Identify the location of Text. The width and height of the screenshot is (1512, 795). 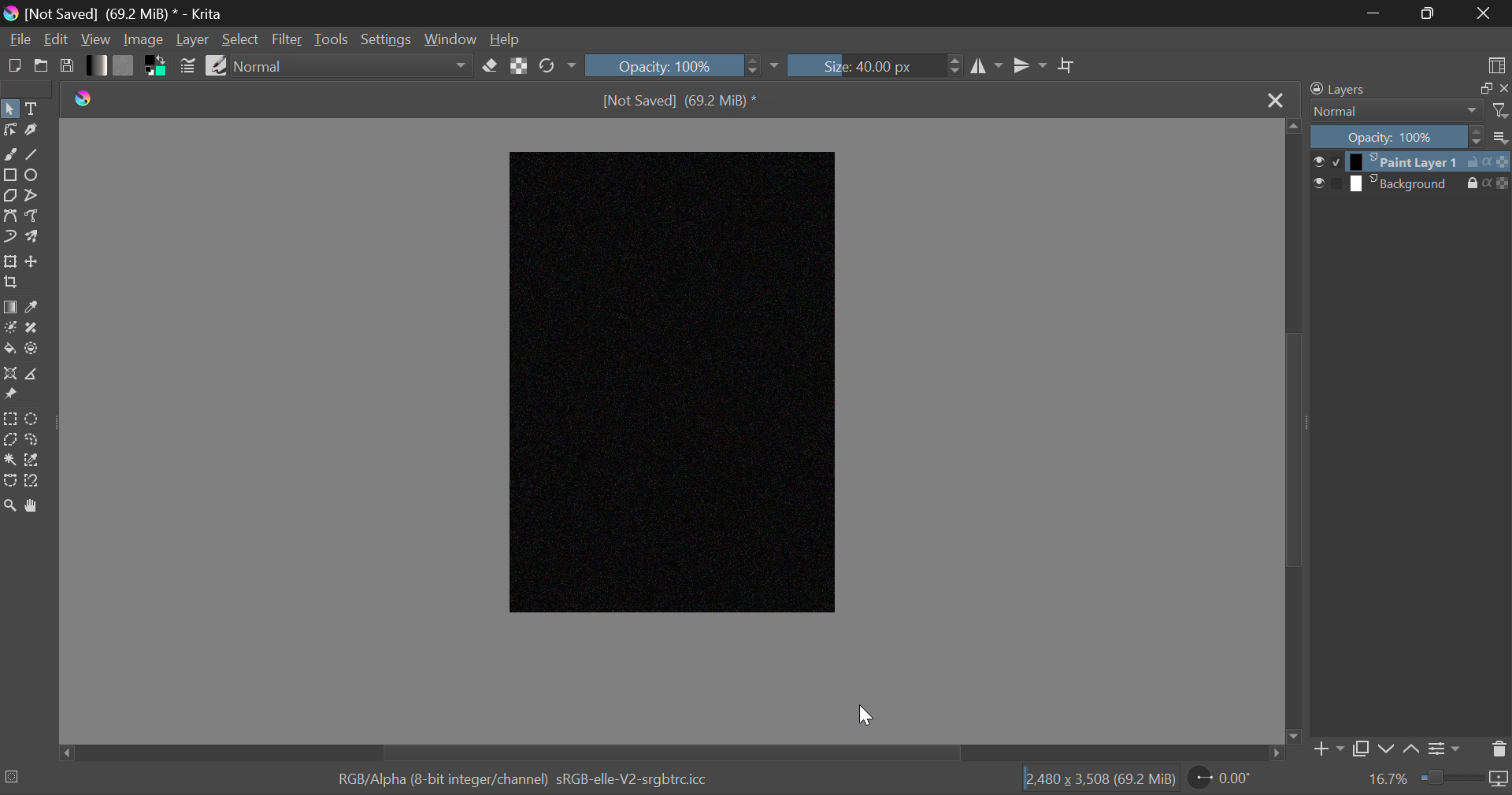
(32, 107).